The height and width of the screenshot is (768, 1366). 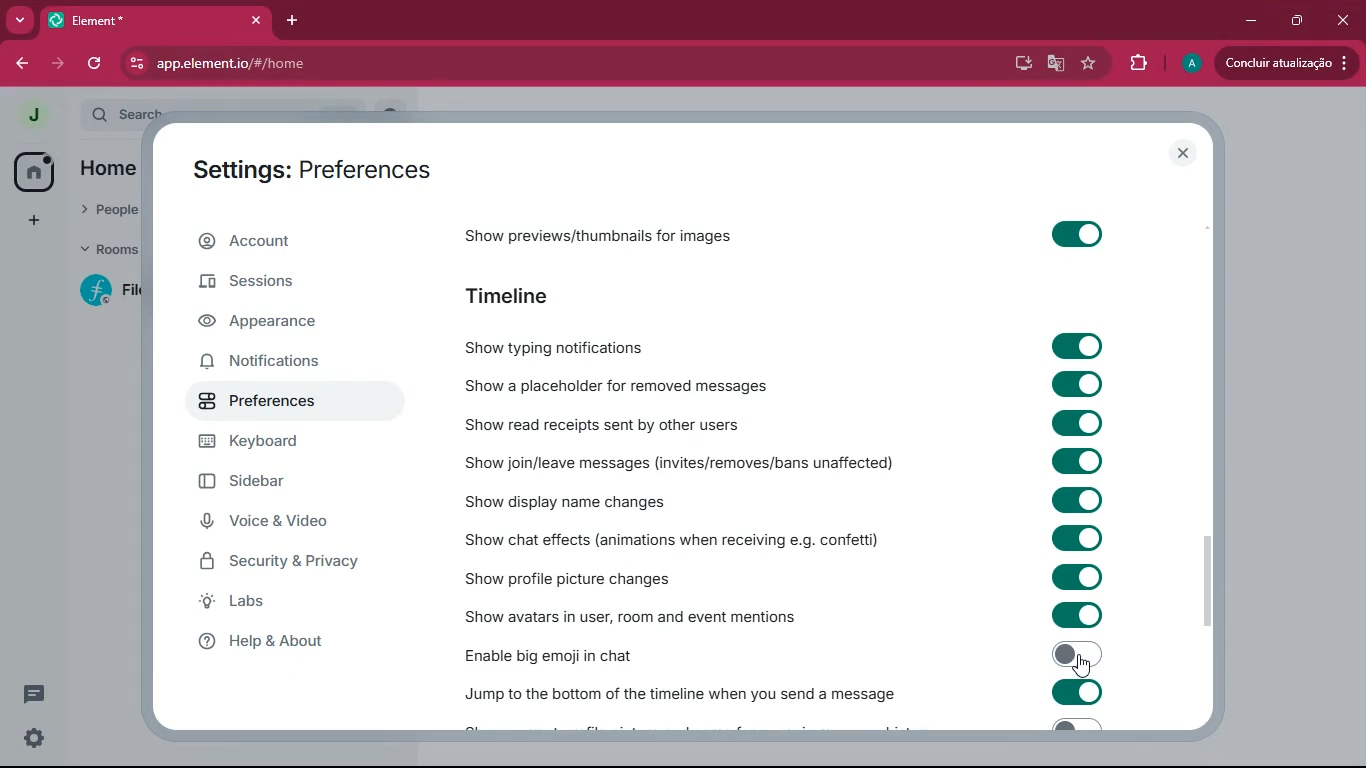 I want to click on google translate, so click(x=1054, y=64).